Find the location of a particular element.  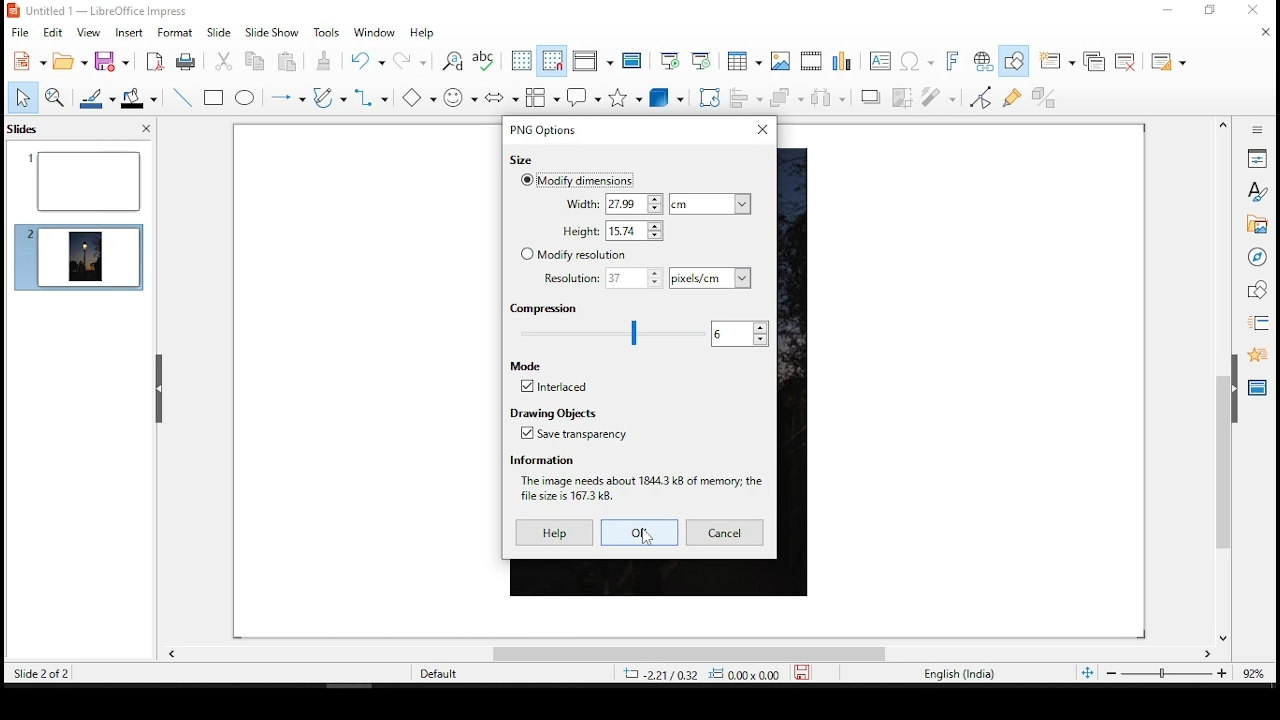

rectangle is located at coordinates (215, 98).